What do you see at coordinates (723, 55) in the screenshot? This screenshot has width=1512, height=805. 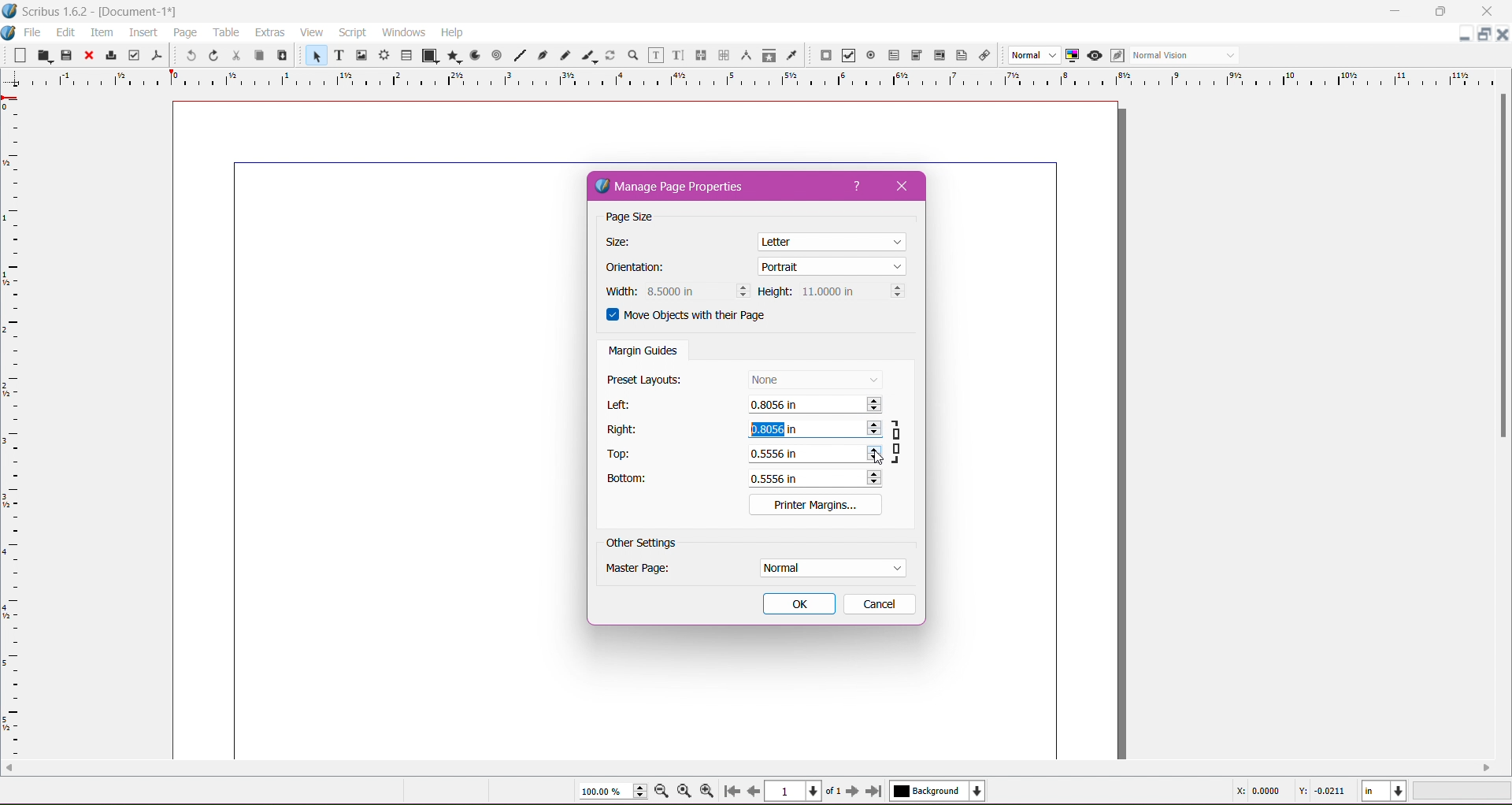 I see `Unlink Text Frames` at bounding box center [723, 55].